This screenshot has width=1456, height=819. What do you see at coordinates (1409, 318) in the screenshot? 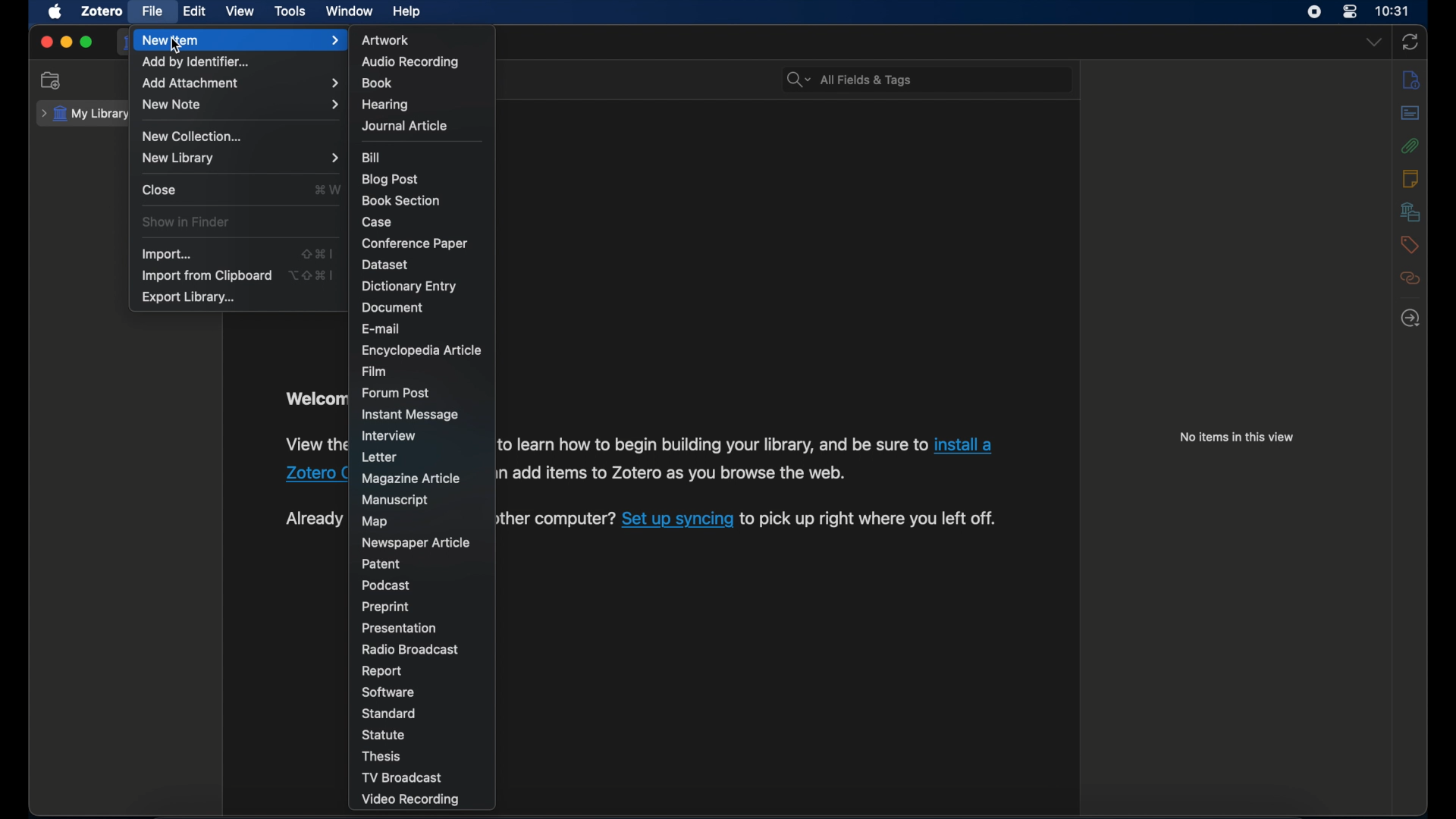
I see `locate` at bounding box center [1409, 318].